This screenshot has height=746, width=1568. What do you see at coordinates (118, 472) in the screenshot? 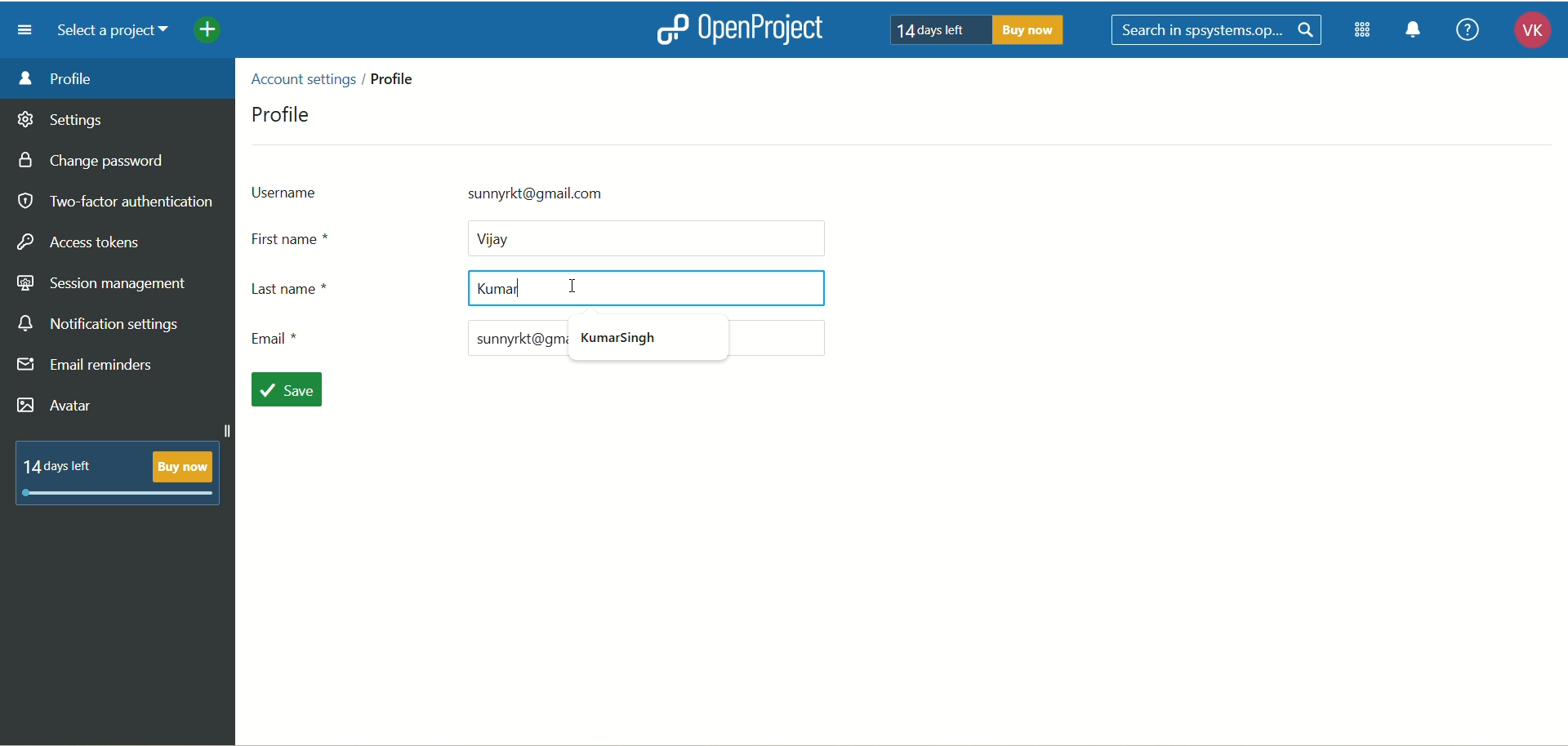
I see `text` at bounding box center [118, 472].